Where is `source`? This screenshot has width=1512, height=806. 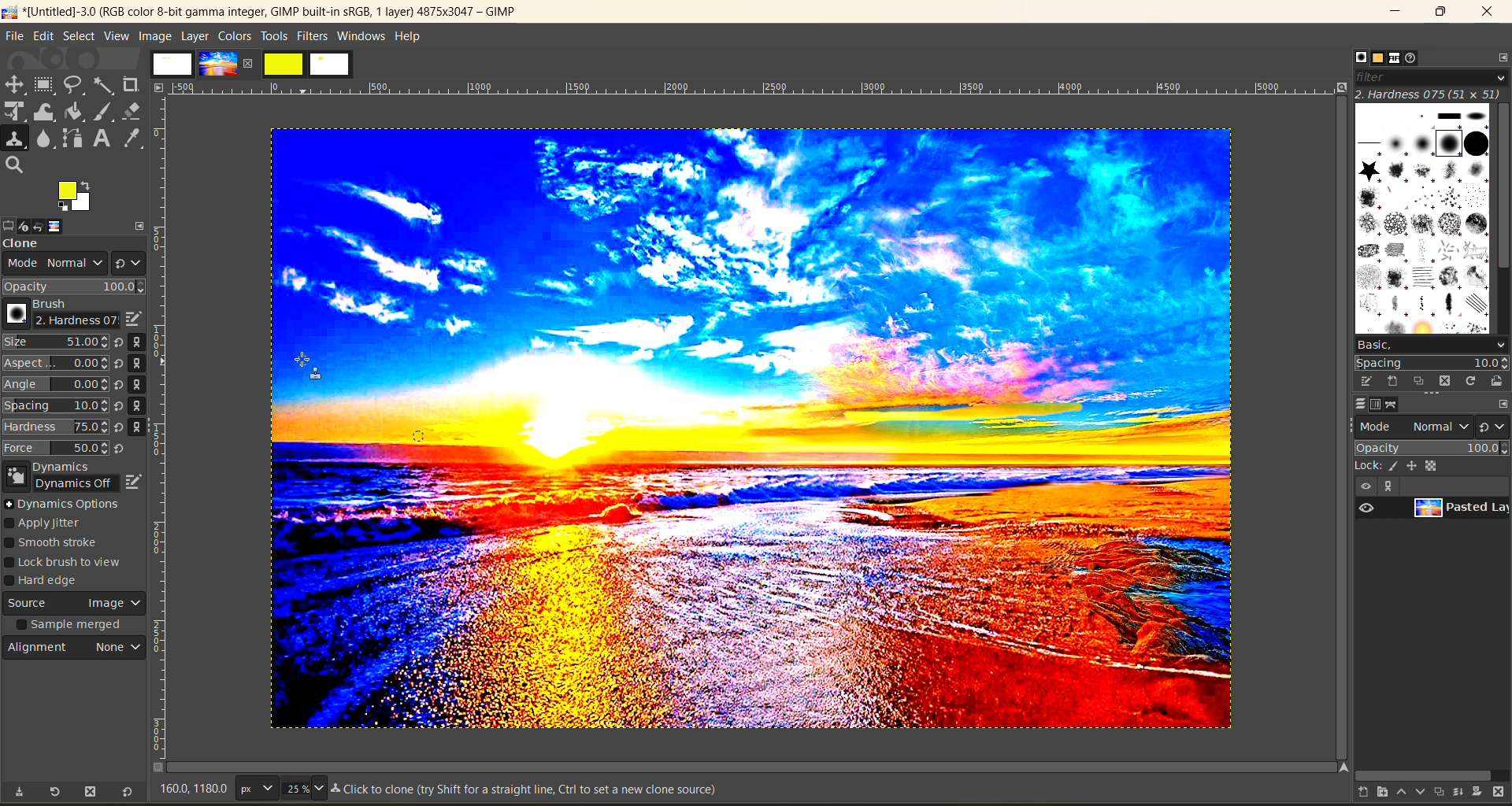
source is located at coordinates (75, 605).